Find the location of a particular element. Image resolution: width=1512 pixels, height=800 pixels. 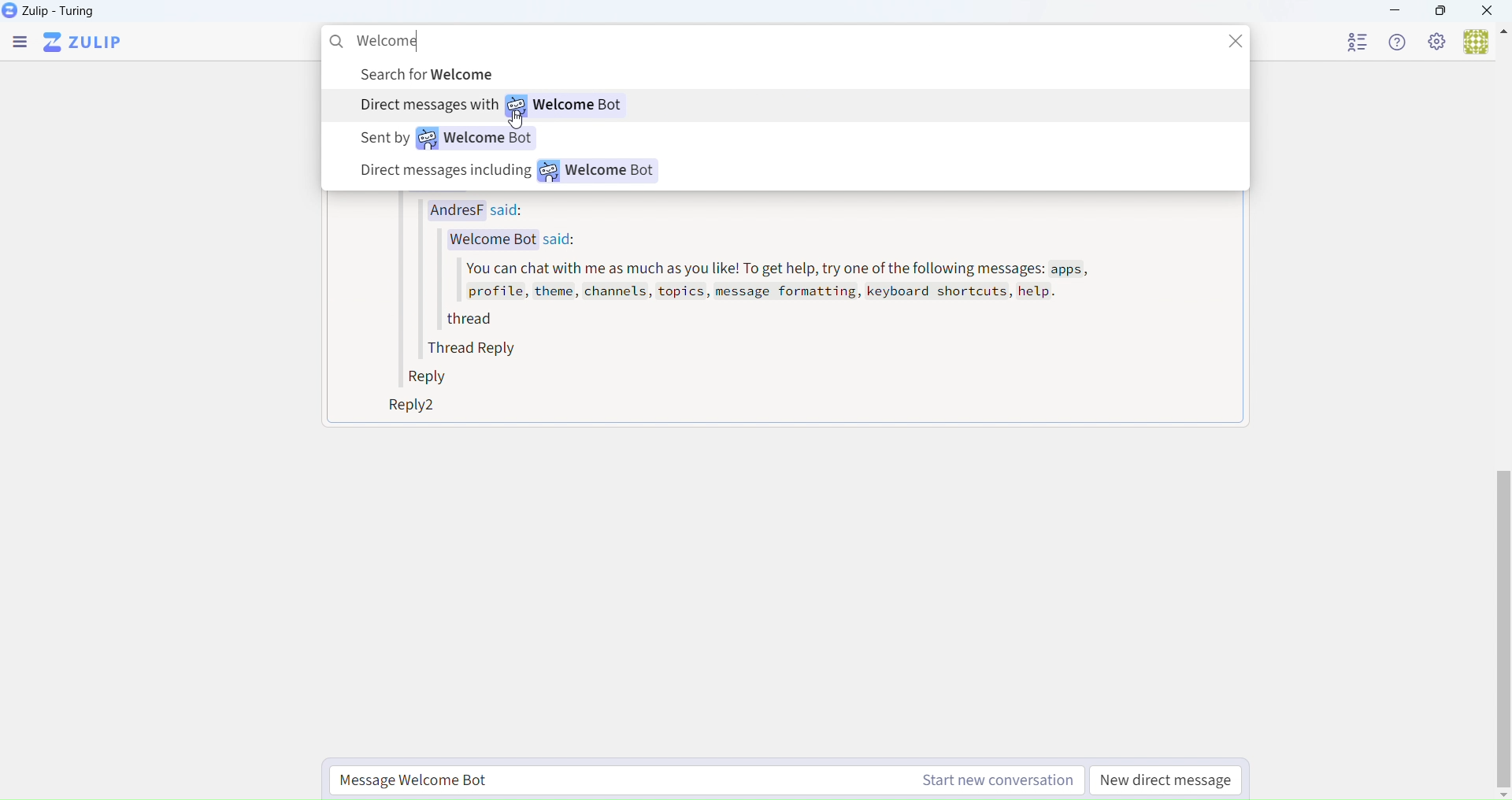

Sent by  Welcome Bot is located at coordinates (447, 139).